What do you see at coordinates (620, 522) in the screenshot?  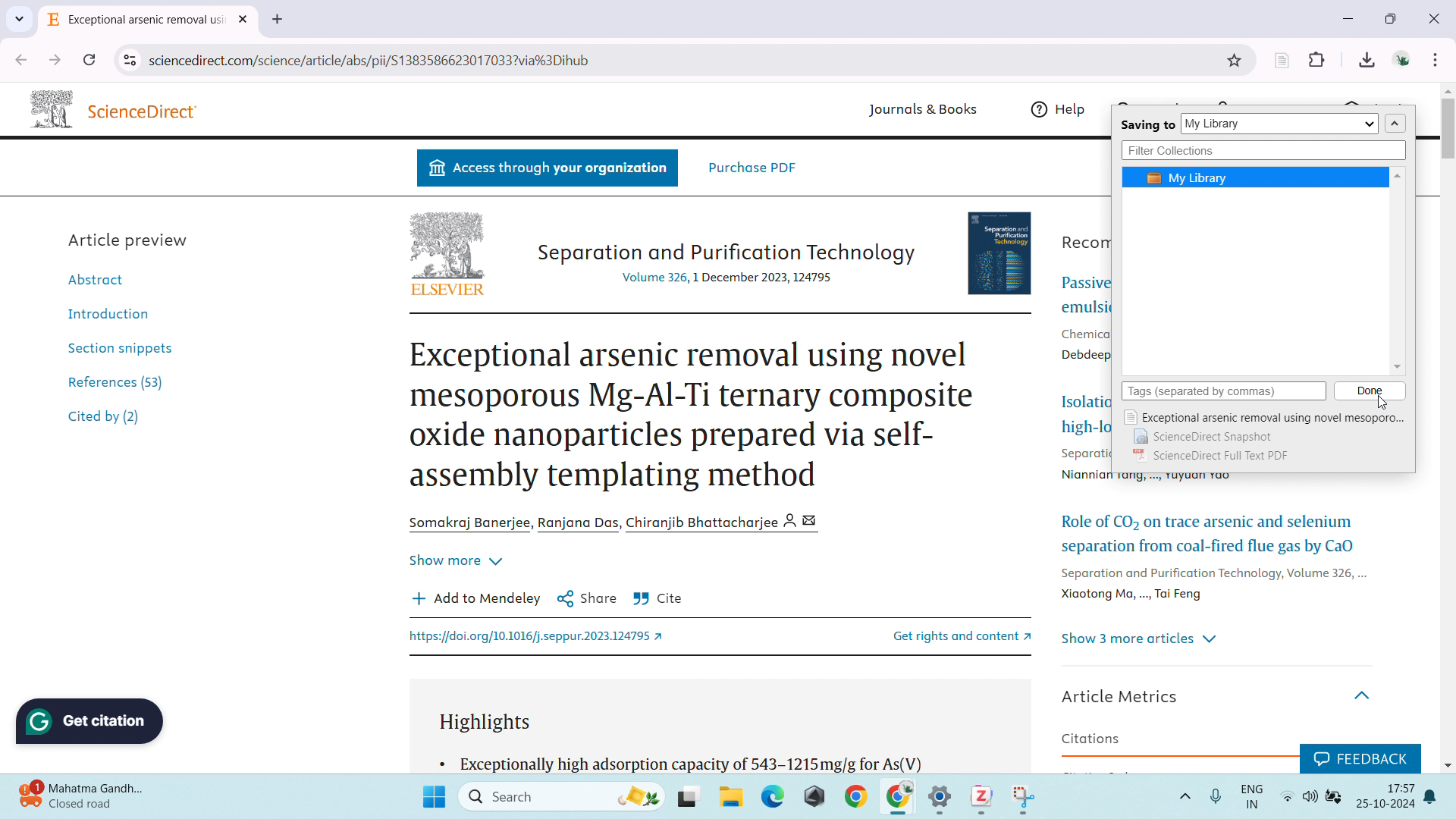 I see `Somakraj Banerjee, Ranjana Das, Chiranjib Bhattacharjee` at bounding box center [620, 522].